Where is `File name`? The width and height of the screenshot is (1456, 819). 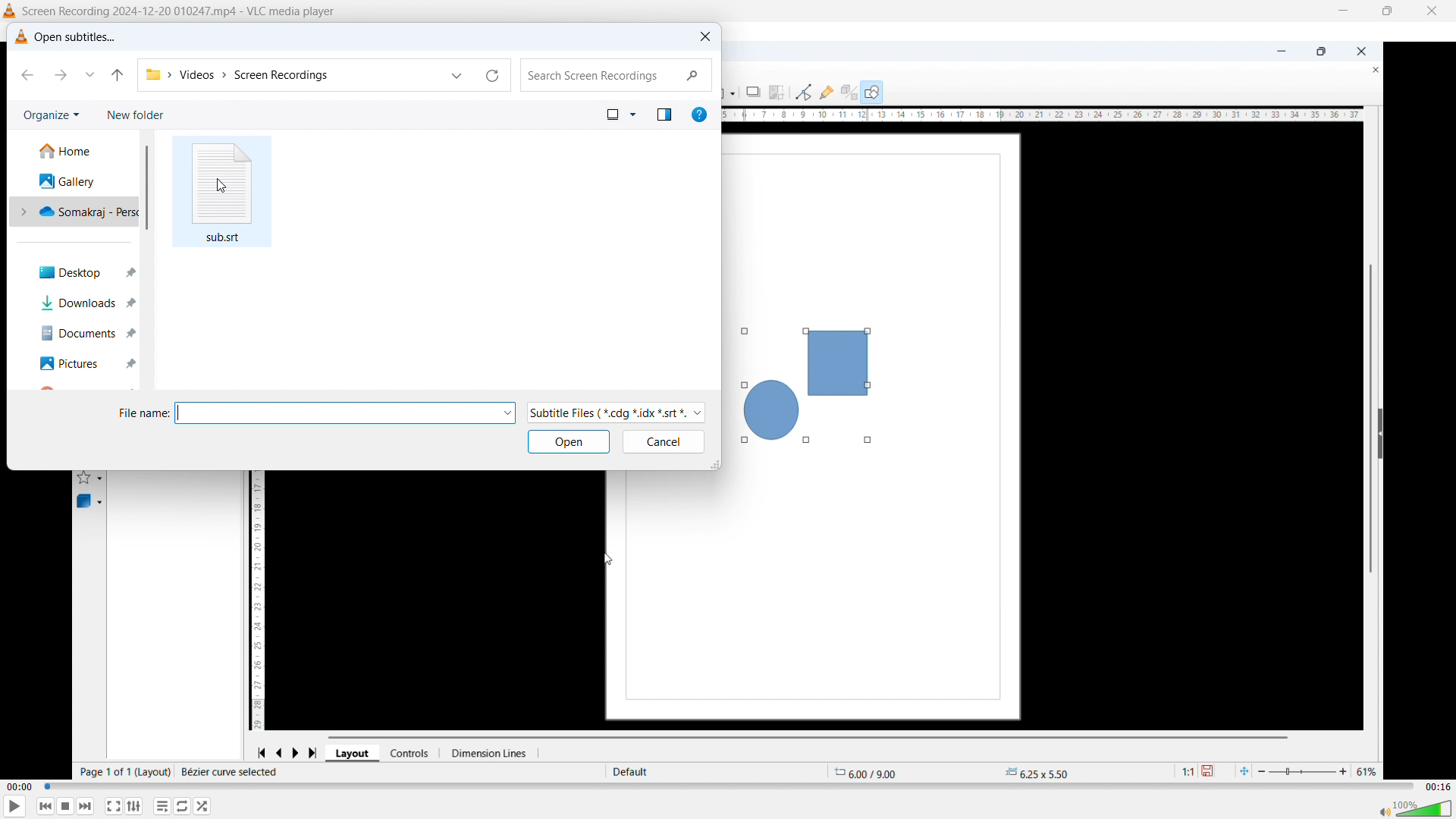 File name is located at coordinates (143, 413).